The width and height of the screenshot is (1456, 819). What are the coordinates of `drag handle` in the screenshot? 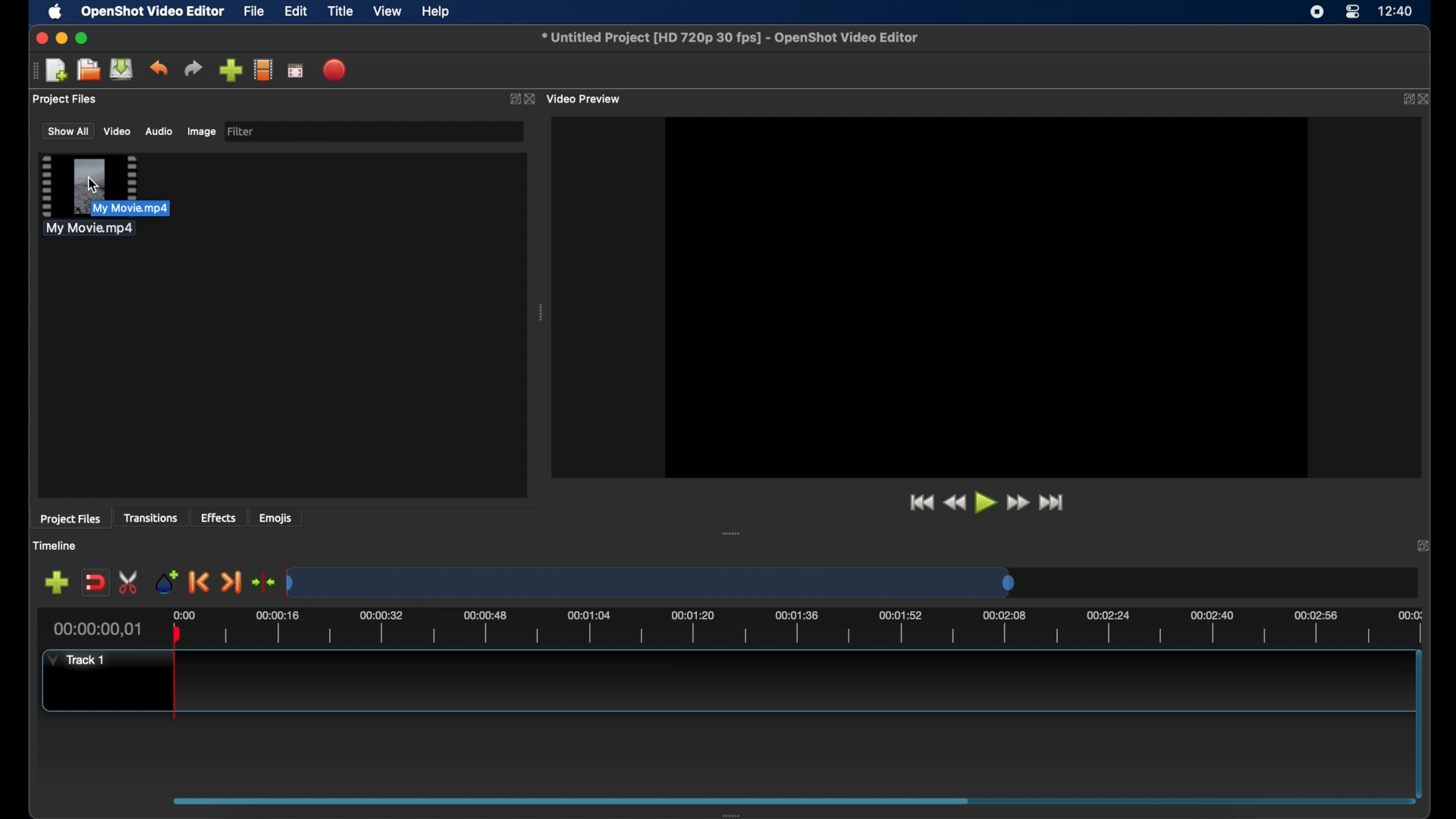 It's located at (732, 535).